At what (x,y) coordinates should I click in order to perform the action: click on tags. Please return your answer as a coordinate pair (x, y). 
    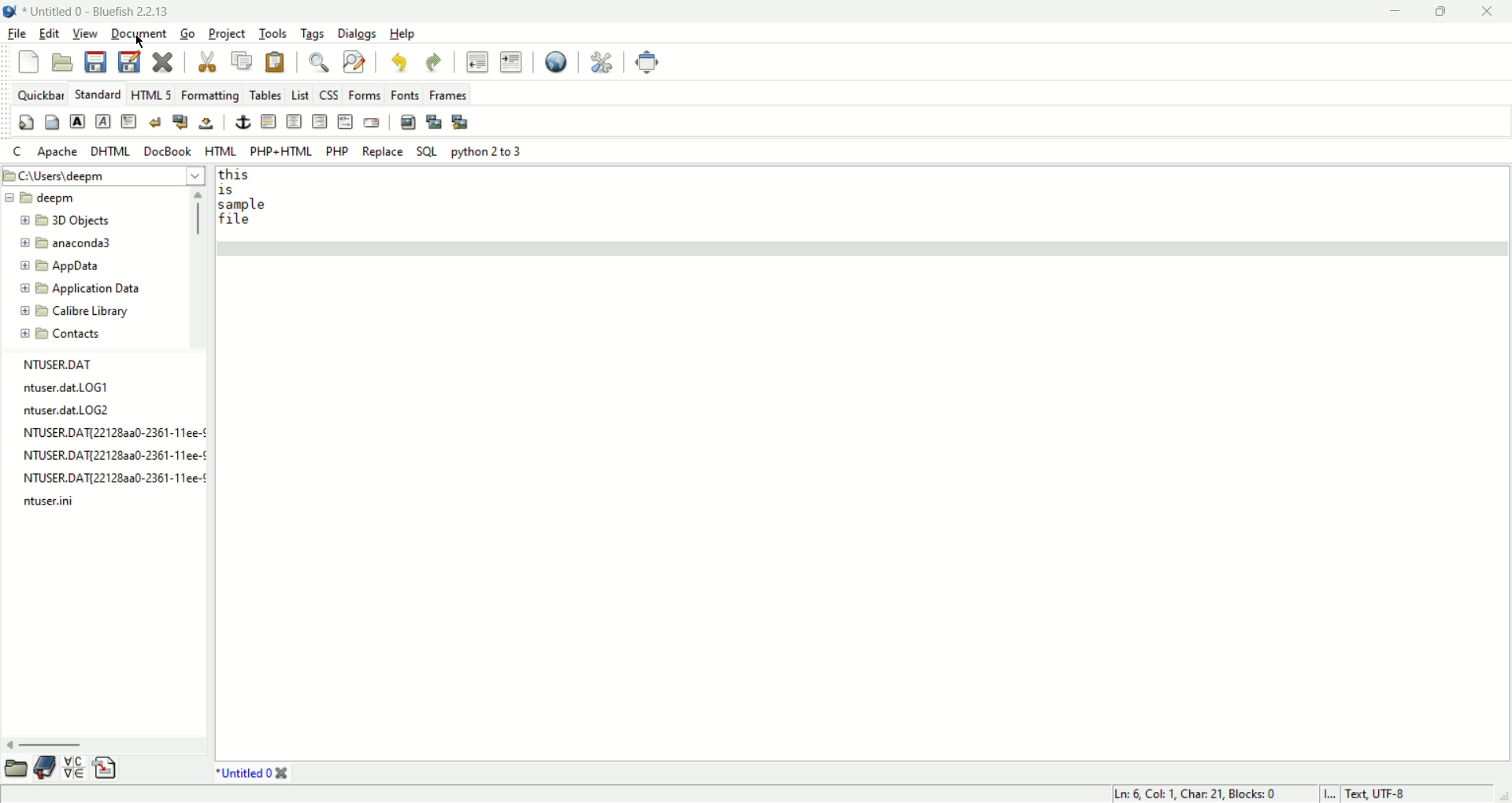
    Looking at the image, I should click on (317, 31).